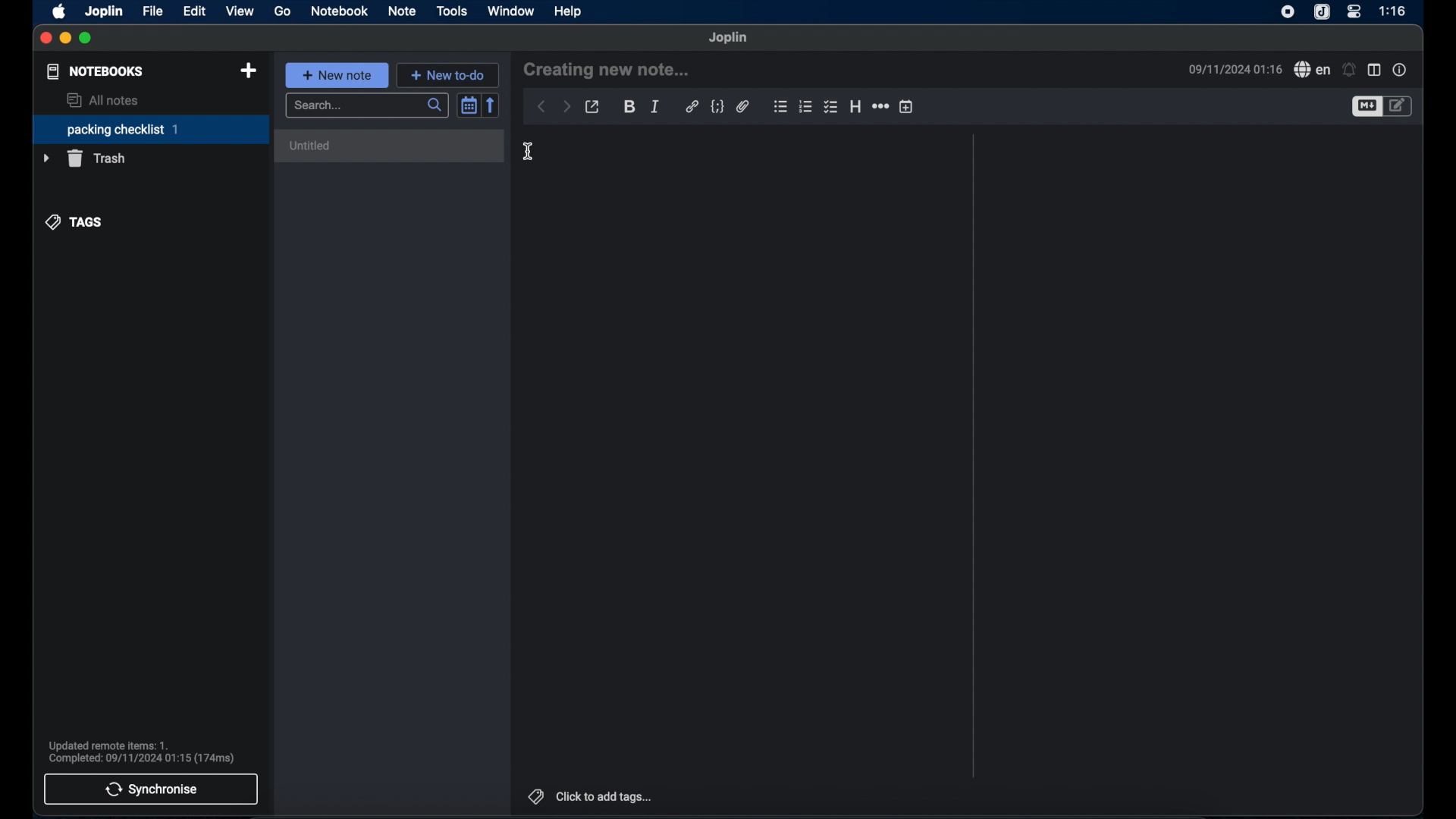 This screenshot has height=819, width=1456. I want to click on 09/11/2024 01:16, so click(1232, 70).